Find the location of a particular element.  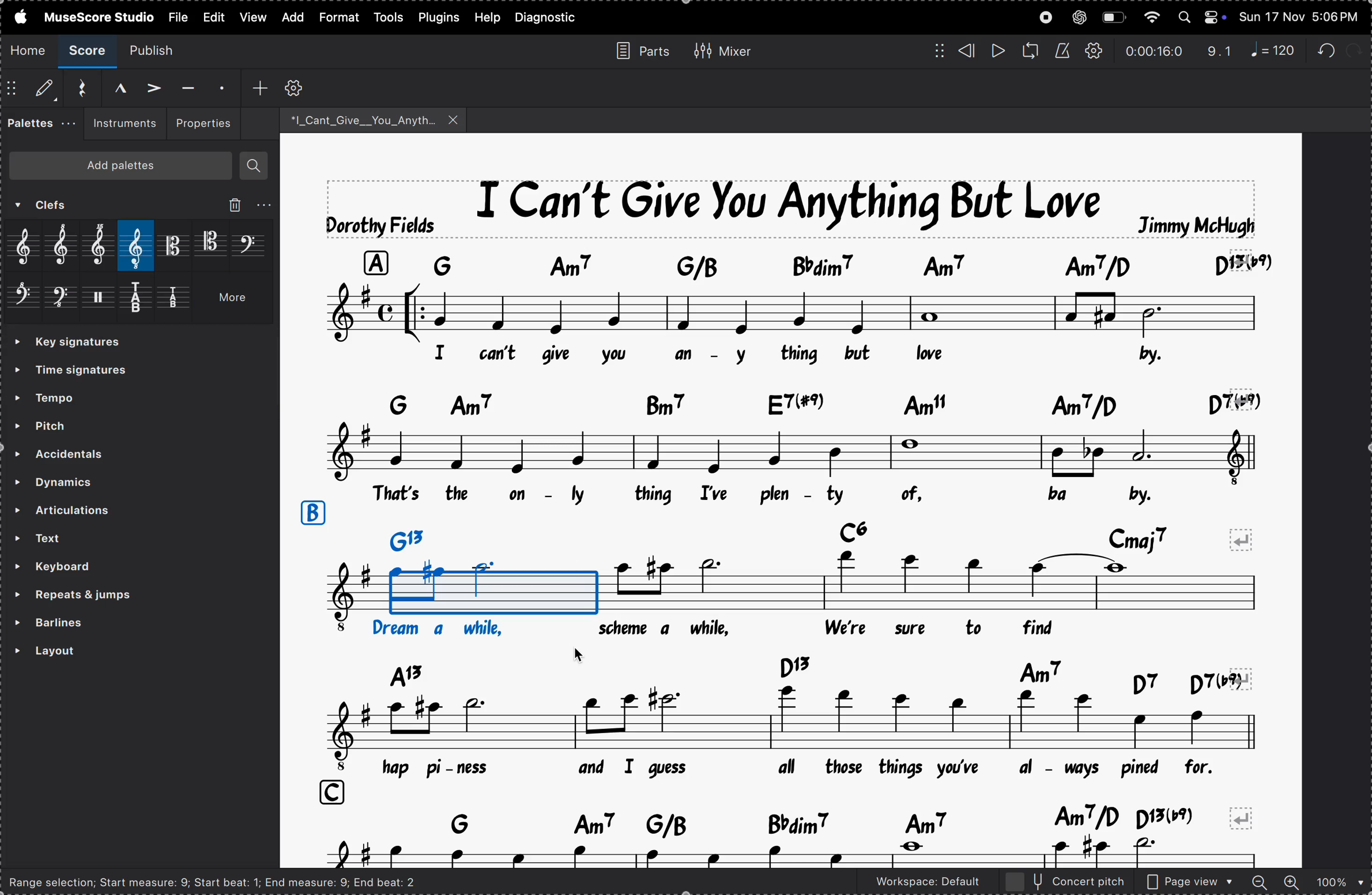

default is located at coordinates (33, 90).